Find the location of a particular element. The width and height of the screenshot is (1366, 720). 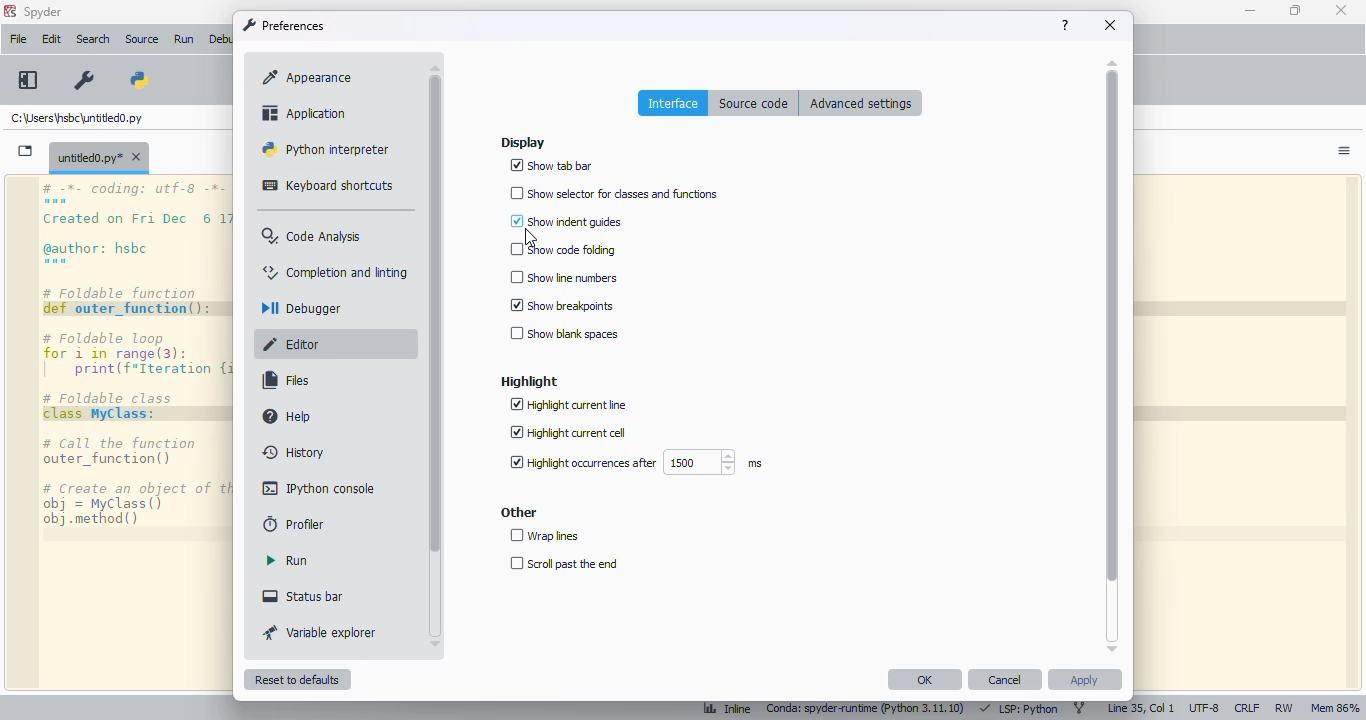

preferences is located at coordinates (283, 25).